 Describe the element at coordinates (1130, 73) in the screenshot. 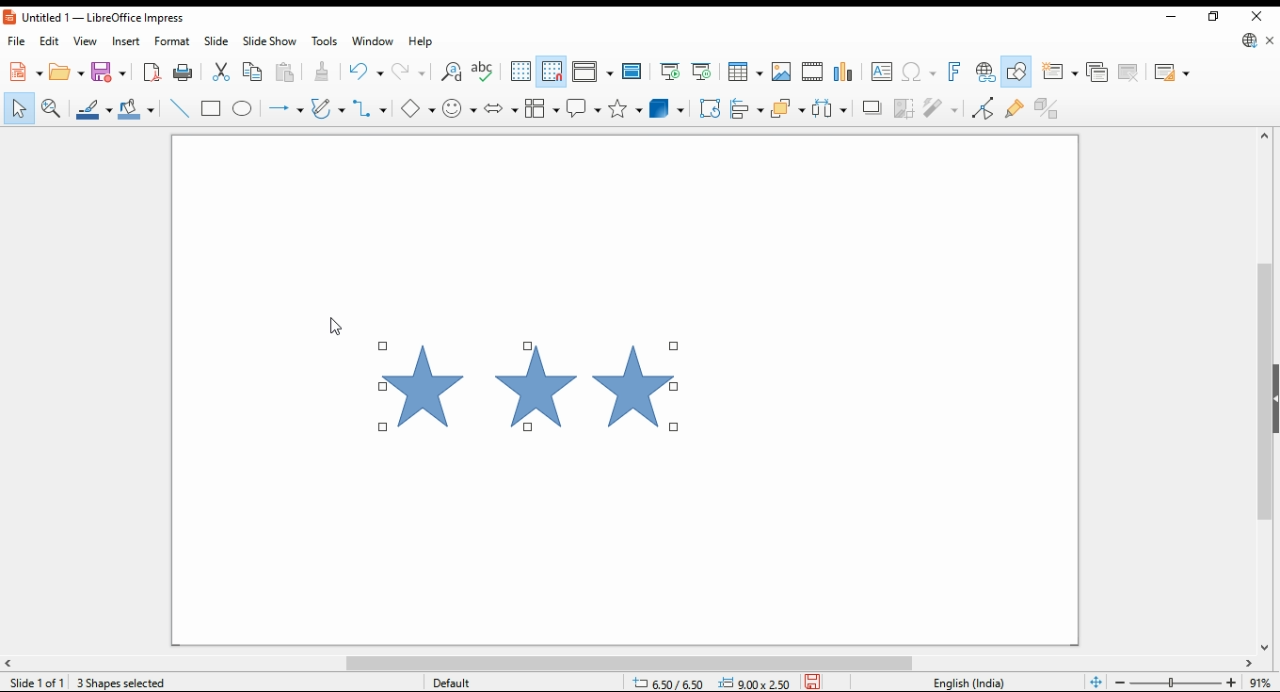

I see `delete slide` at that location.